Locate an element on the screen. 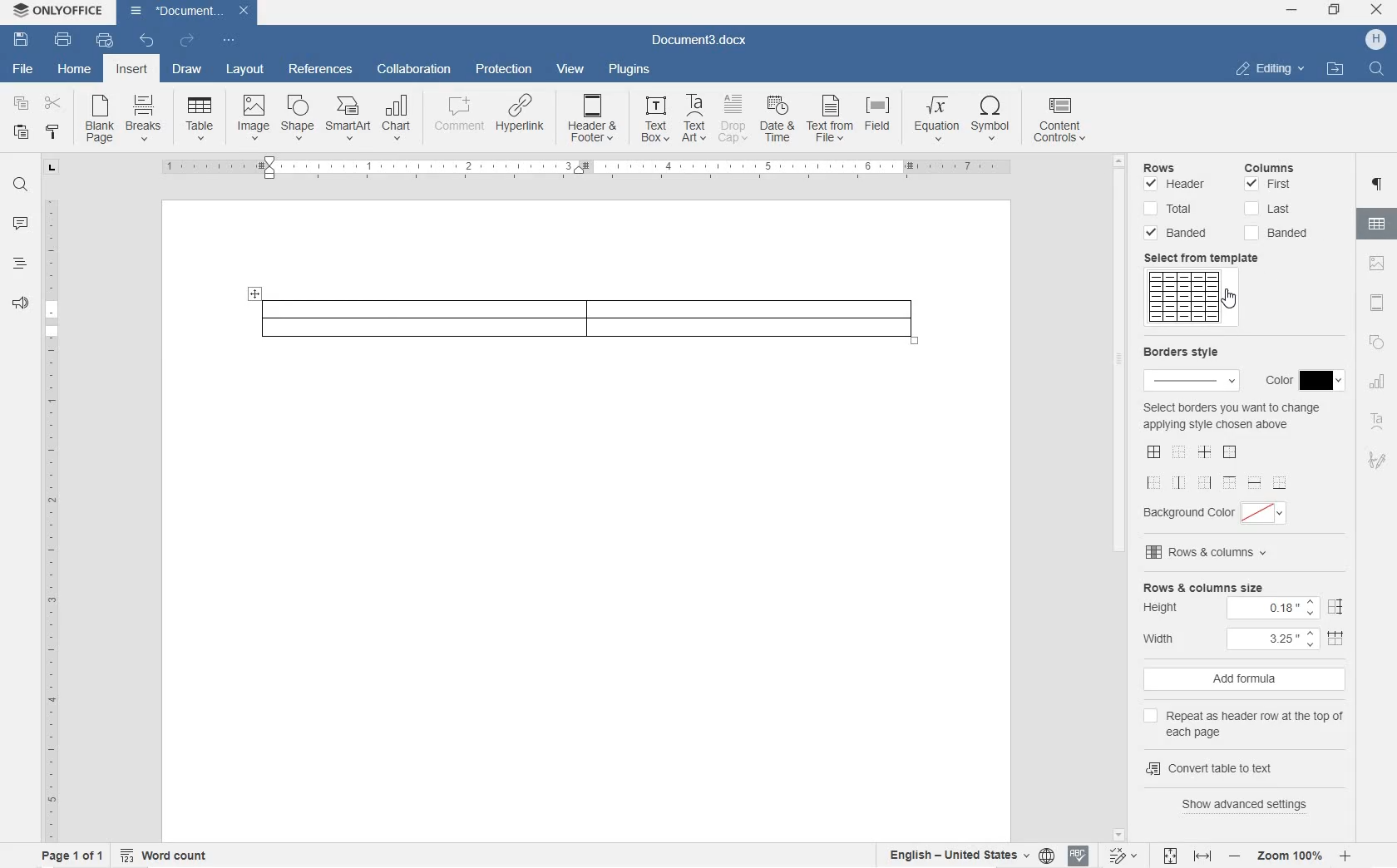  VIEW is located at coordinates (570, 69).